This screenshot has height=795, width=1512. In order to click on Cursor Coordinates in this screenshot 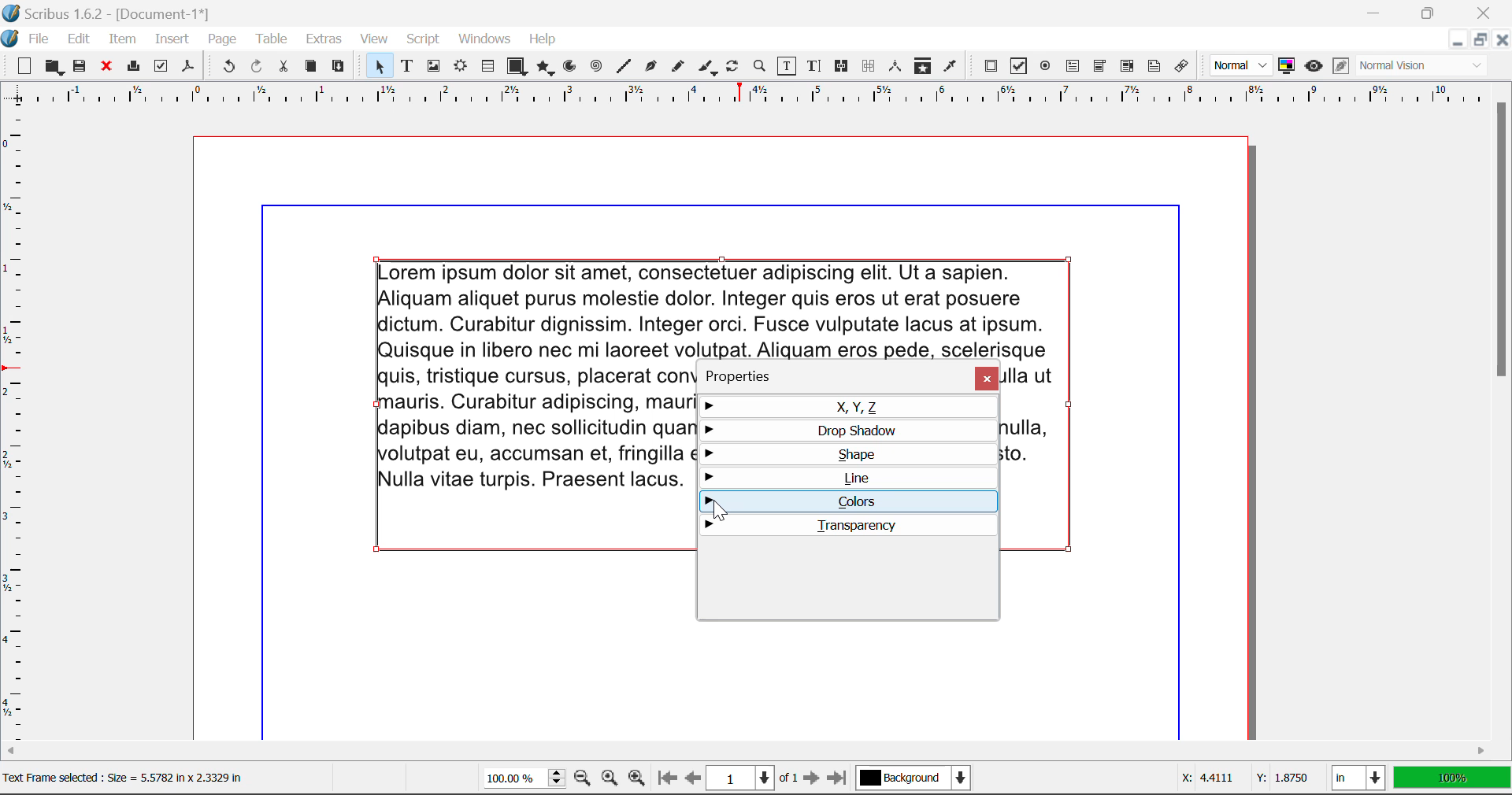, I will do `click(1241, 776)`.